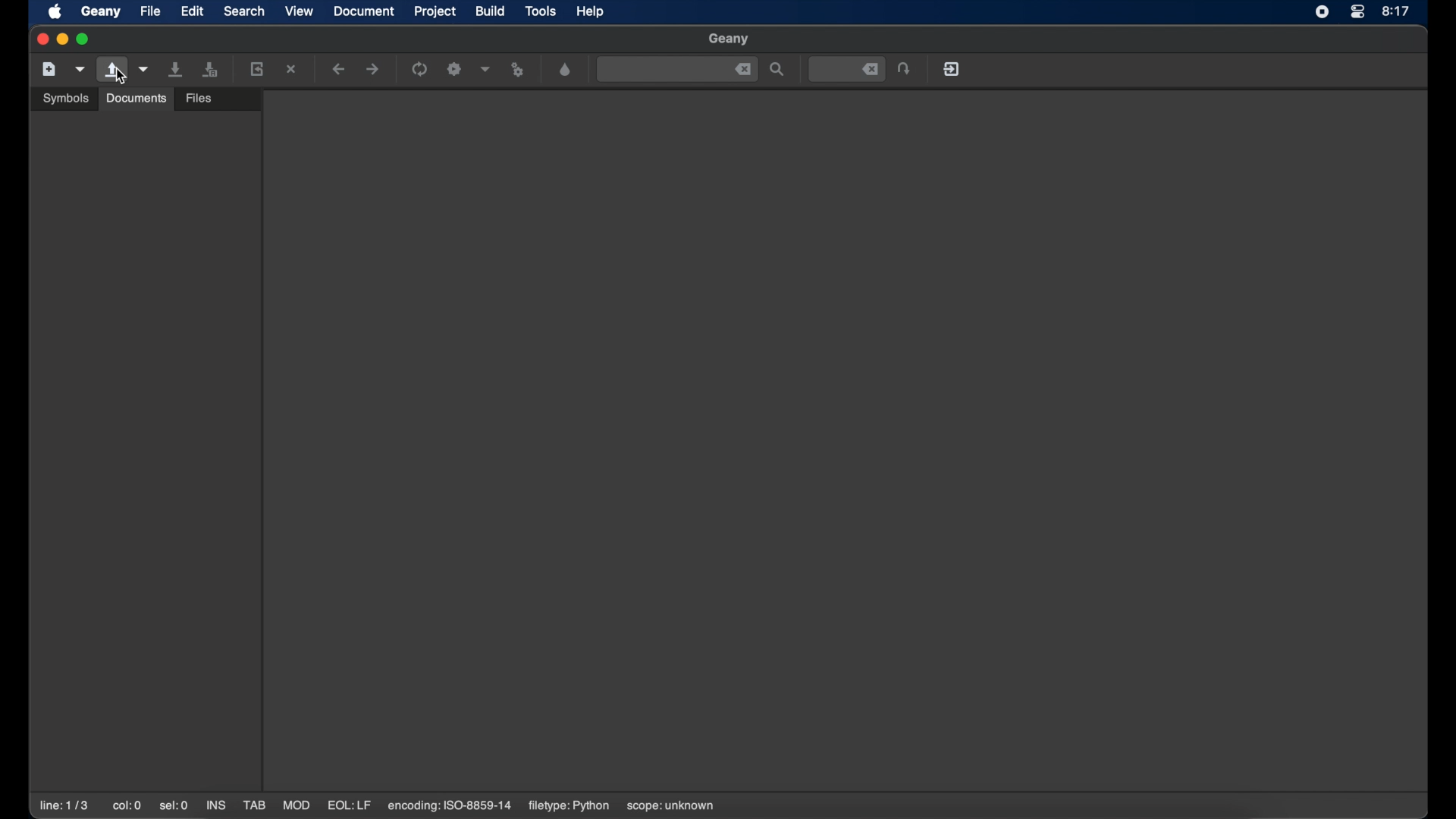  I want to click on jump to entered line number, so click(848, 69).